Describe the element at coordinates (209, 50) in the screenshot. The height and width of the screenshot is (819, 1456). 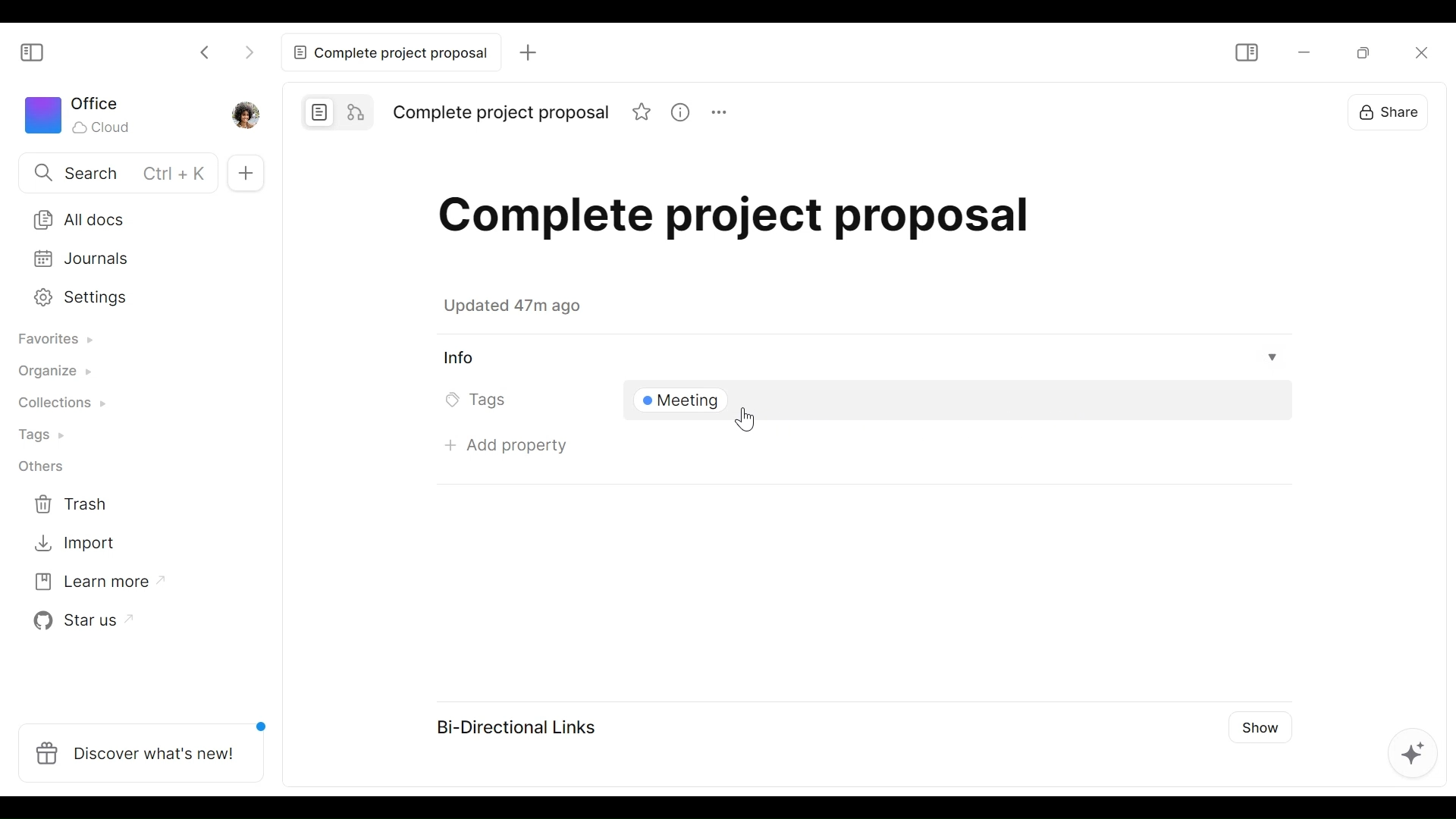
I see `Click to go back` at that location.